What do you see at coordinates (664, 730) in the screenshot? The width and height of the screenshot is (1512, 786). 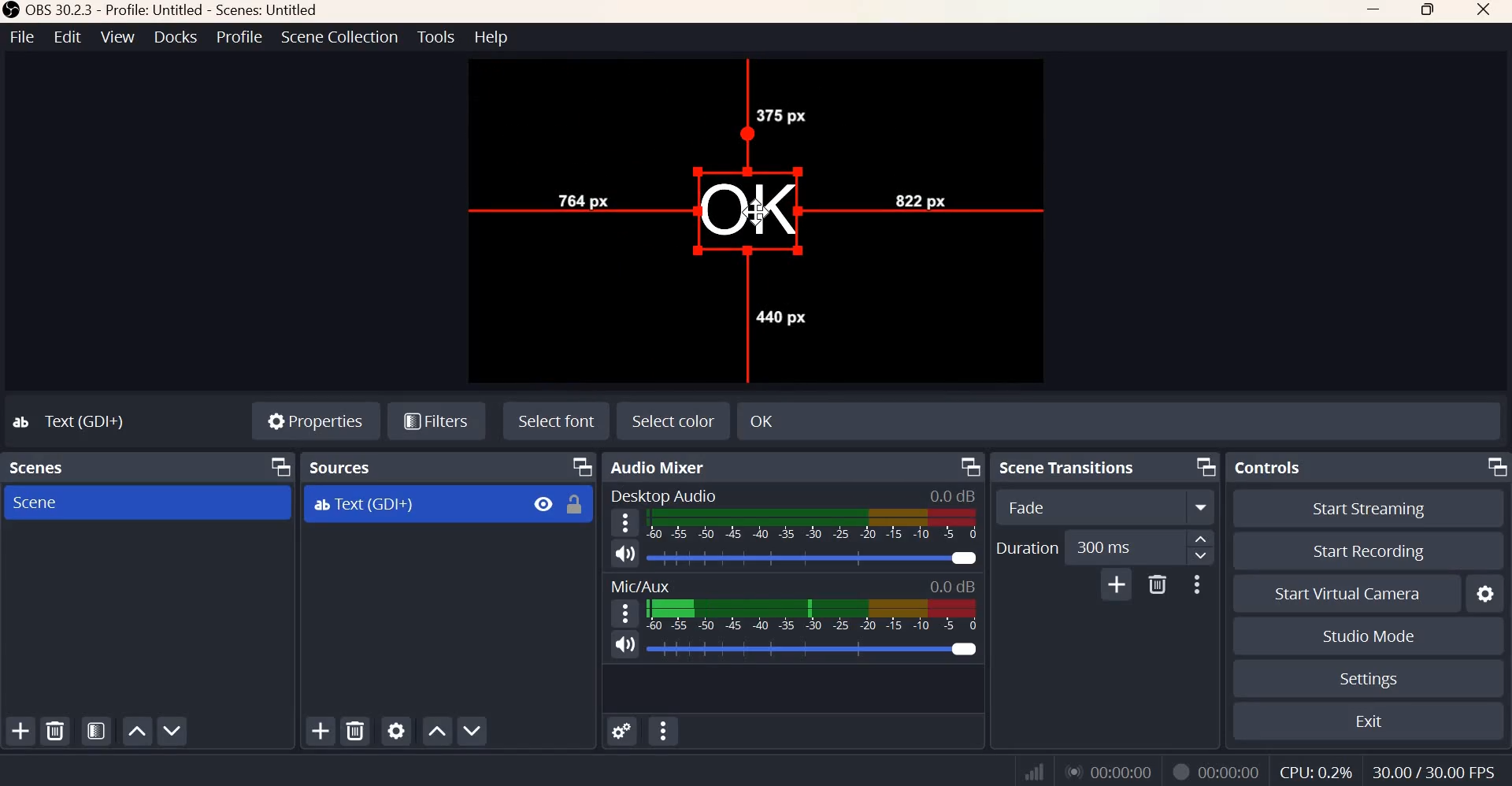 I see `Audio Mixer Menu` at bounding box center [664, 730].